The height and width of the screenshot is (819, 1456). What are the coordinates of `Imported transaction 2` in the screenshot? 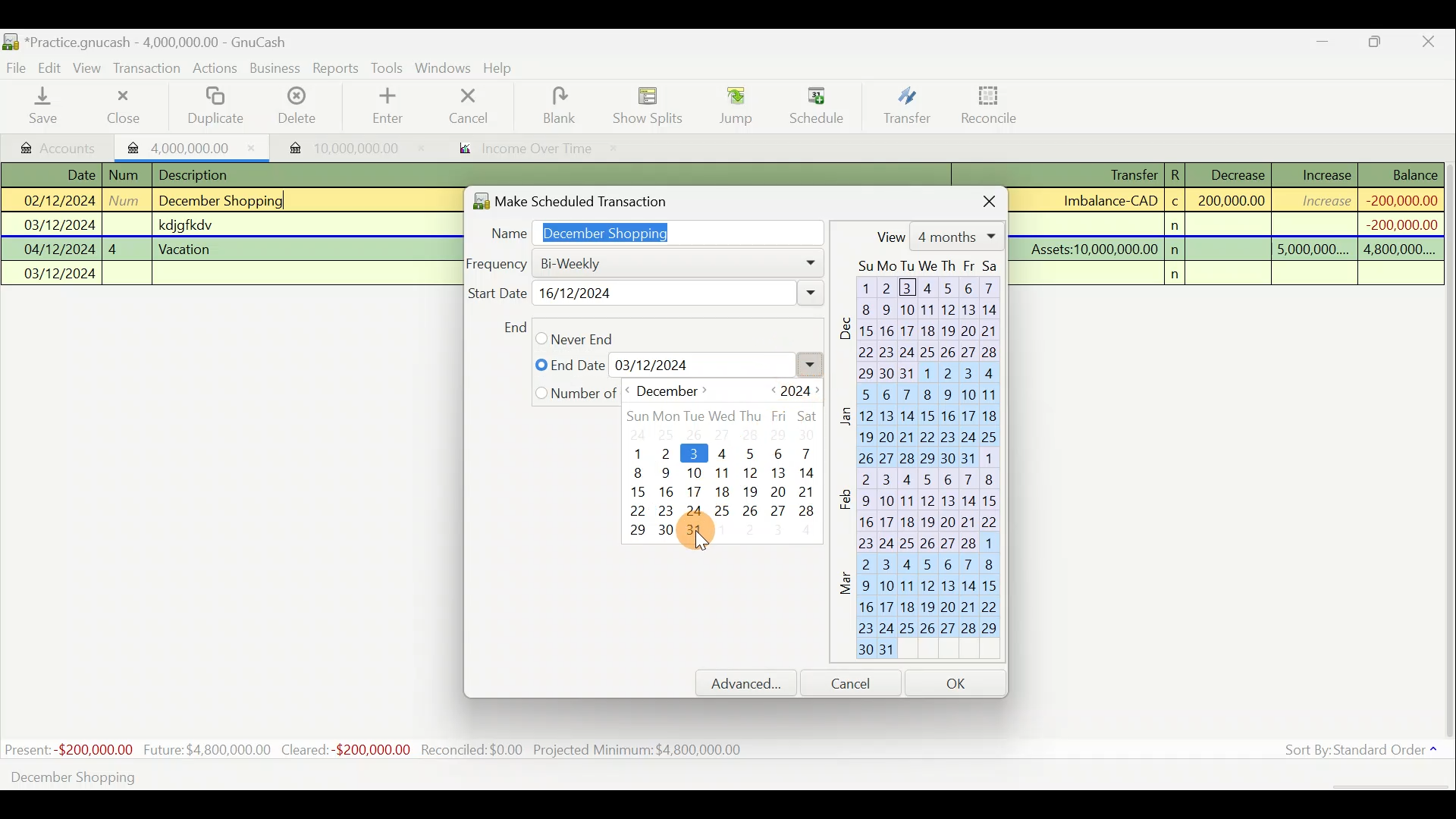 It's located at (339, 148).